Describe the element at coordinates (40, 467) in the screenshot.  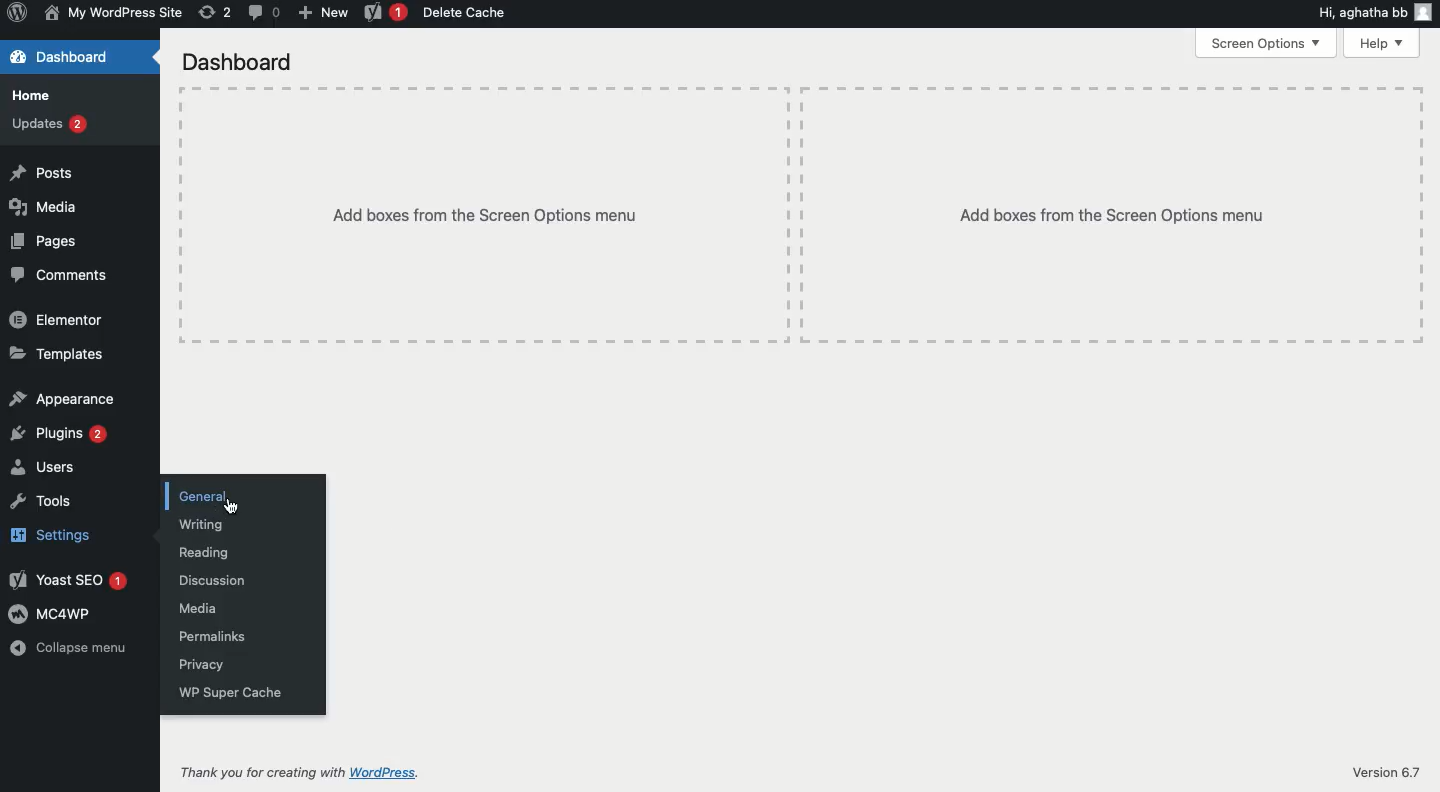
I see `Users` at that location.